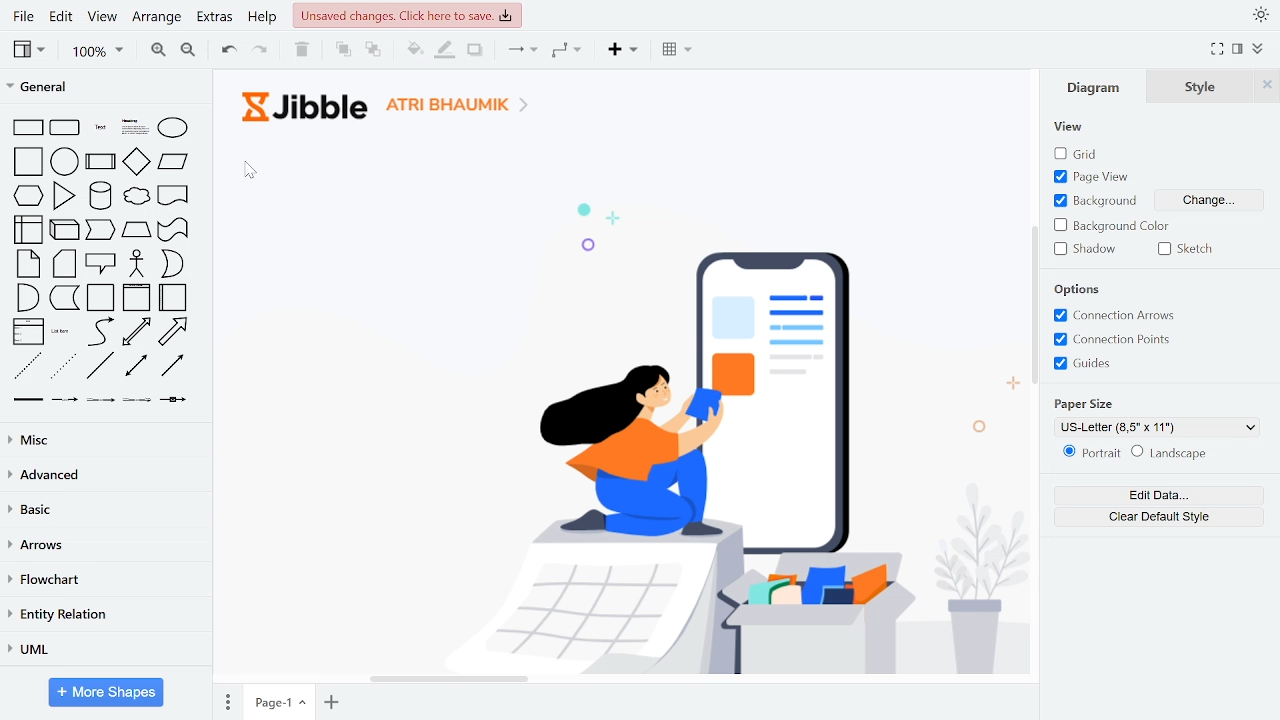  What do you see at coordinates (1078, 290) in the screenshot?
I see `Options` at bounding box center [1078, 290].